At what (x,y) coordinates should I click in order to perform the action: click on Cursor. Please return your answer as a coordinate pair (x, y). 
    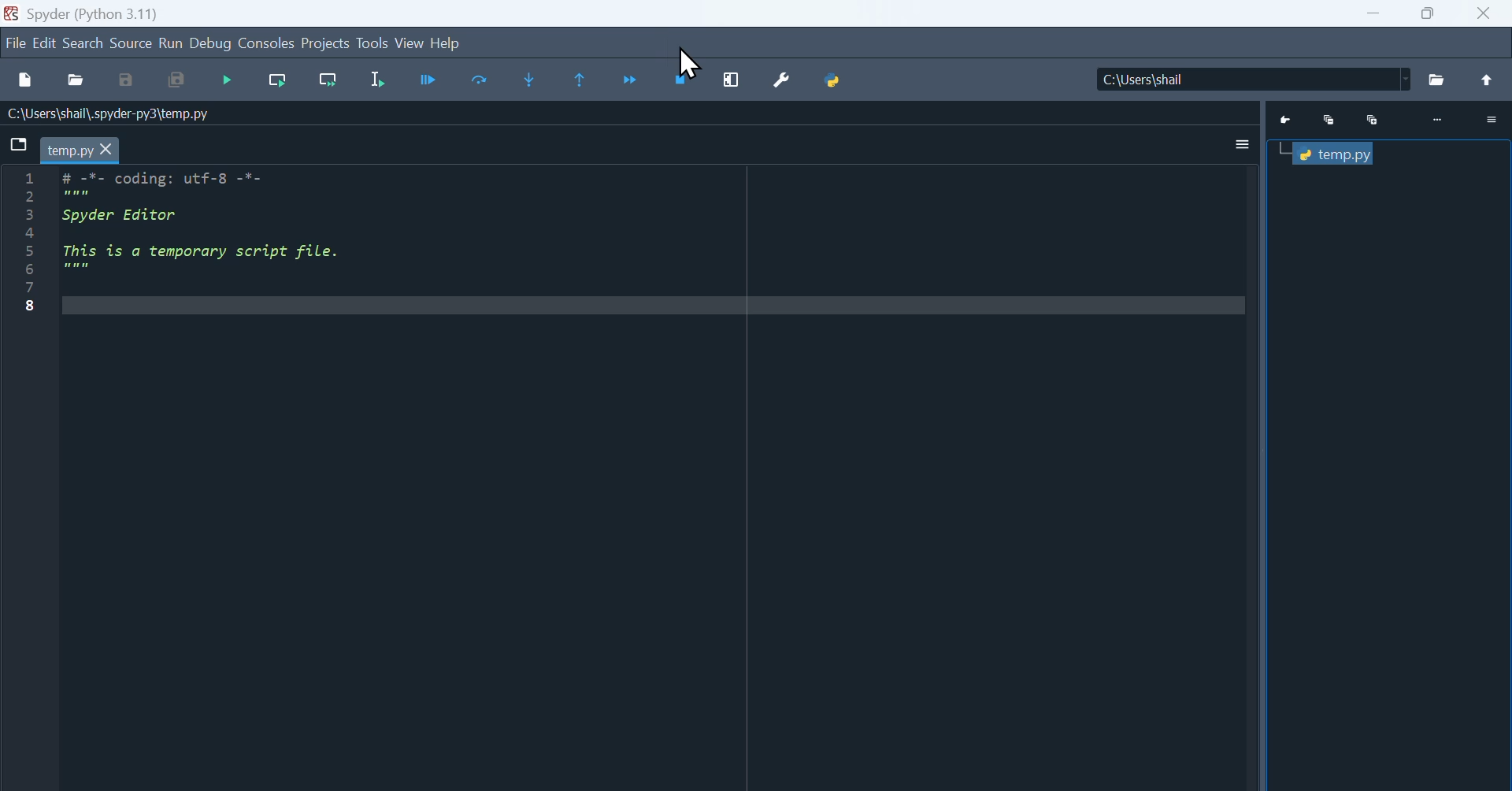
    Looking at the image, I should click on (689, 61).